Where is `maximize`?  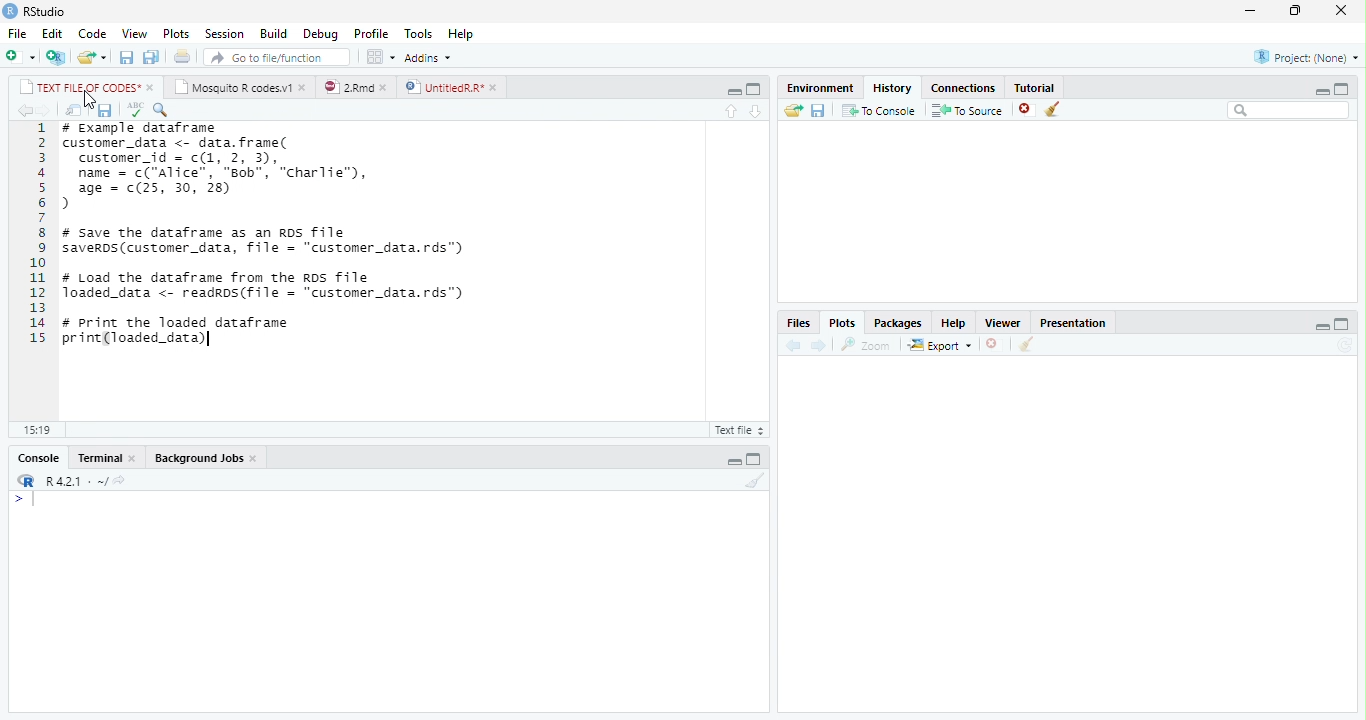 maximize is located at coordinates (753, 89).